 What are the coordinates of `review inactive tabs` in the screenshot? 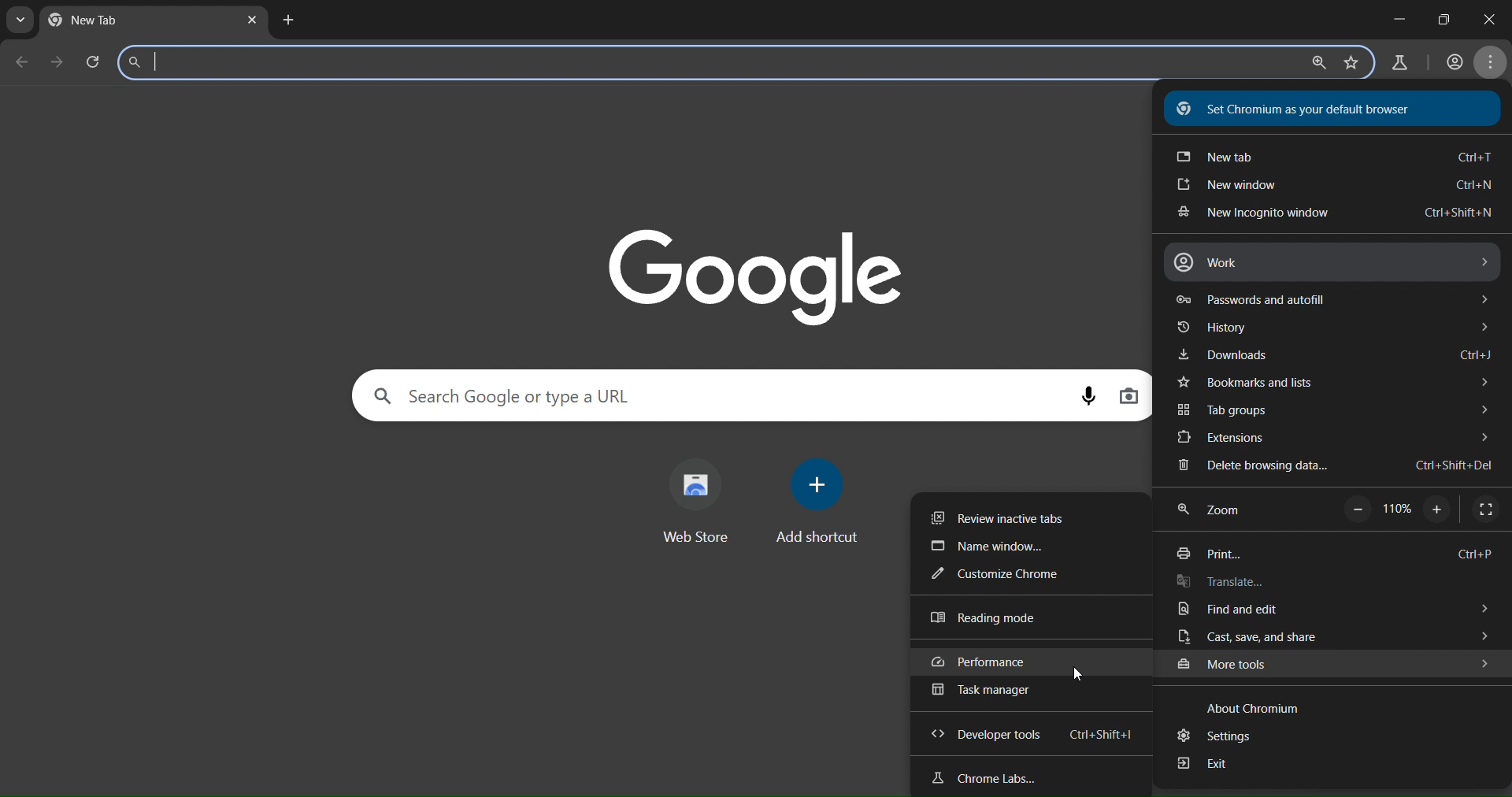 It's located at (1007, 517).